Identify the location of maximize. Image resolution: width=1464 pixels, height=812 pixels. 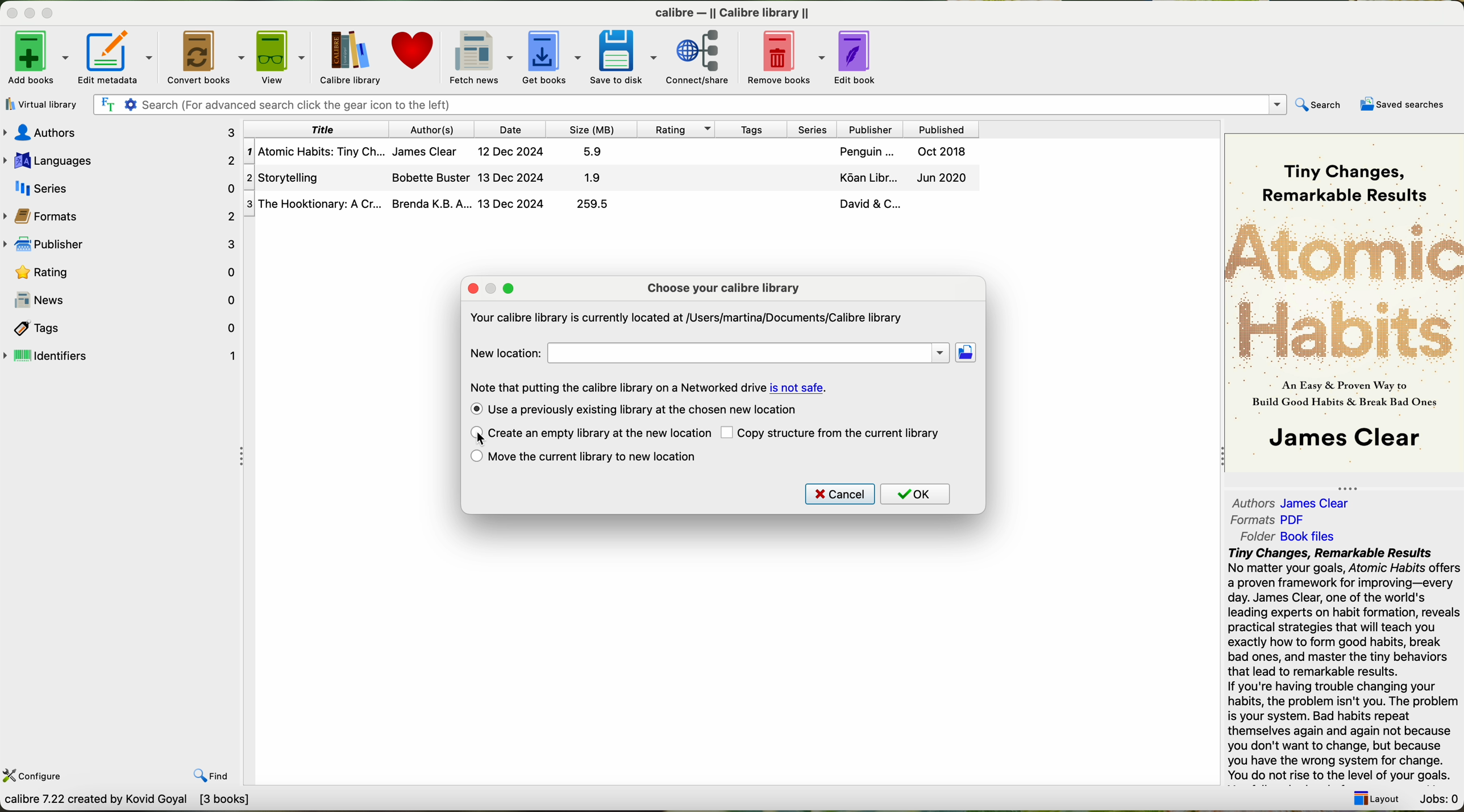
(509, 289).